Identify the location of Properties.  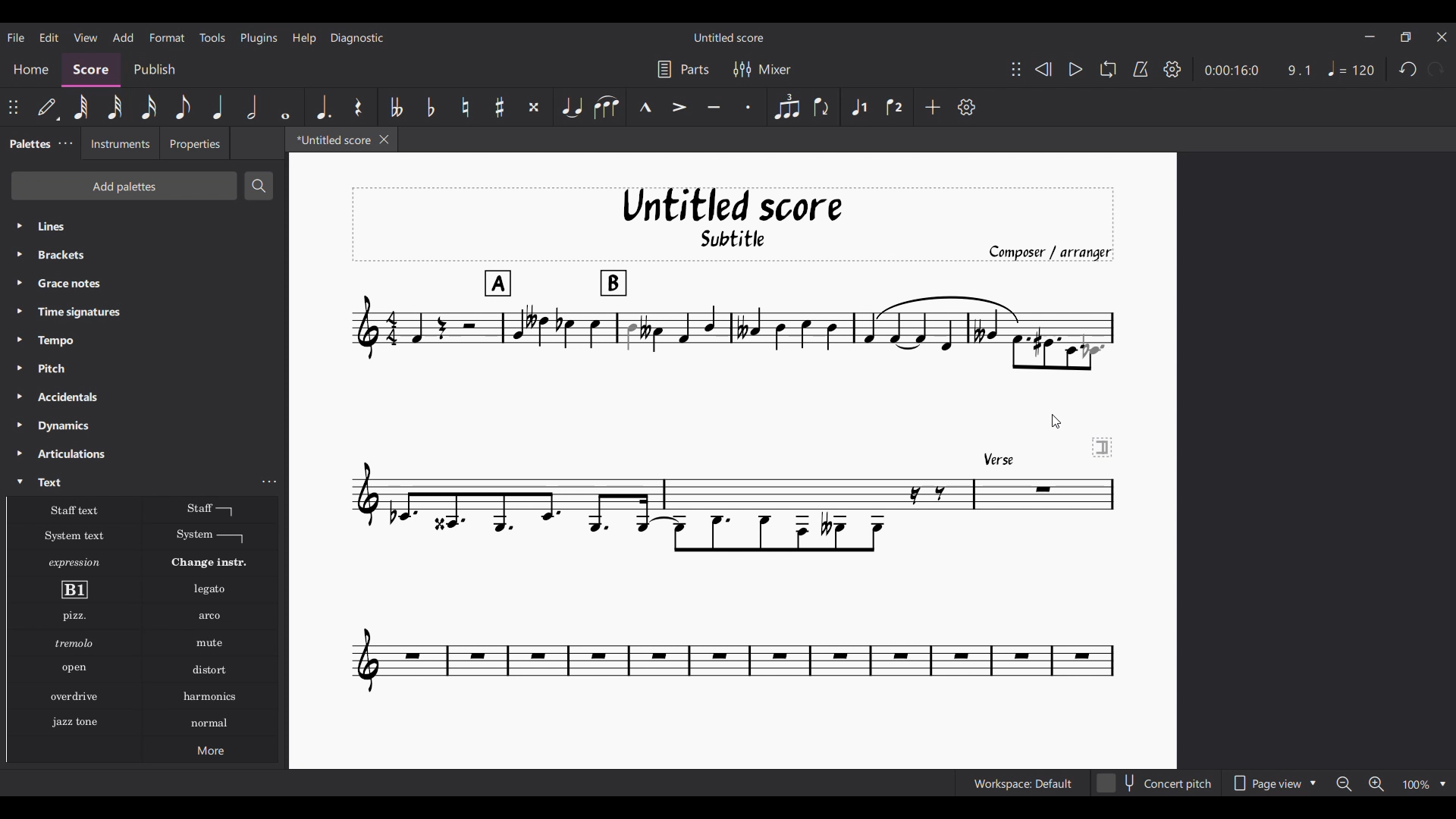
(195, 143).